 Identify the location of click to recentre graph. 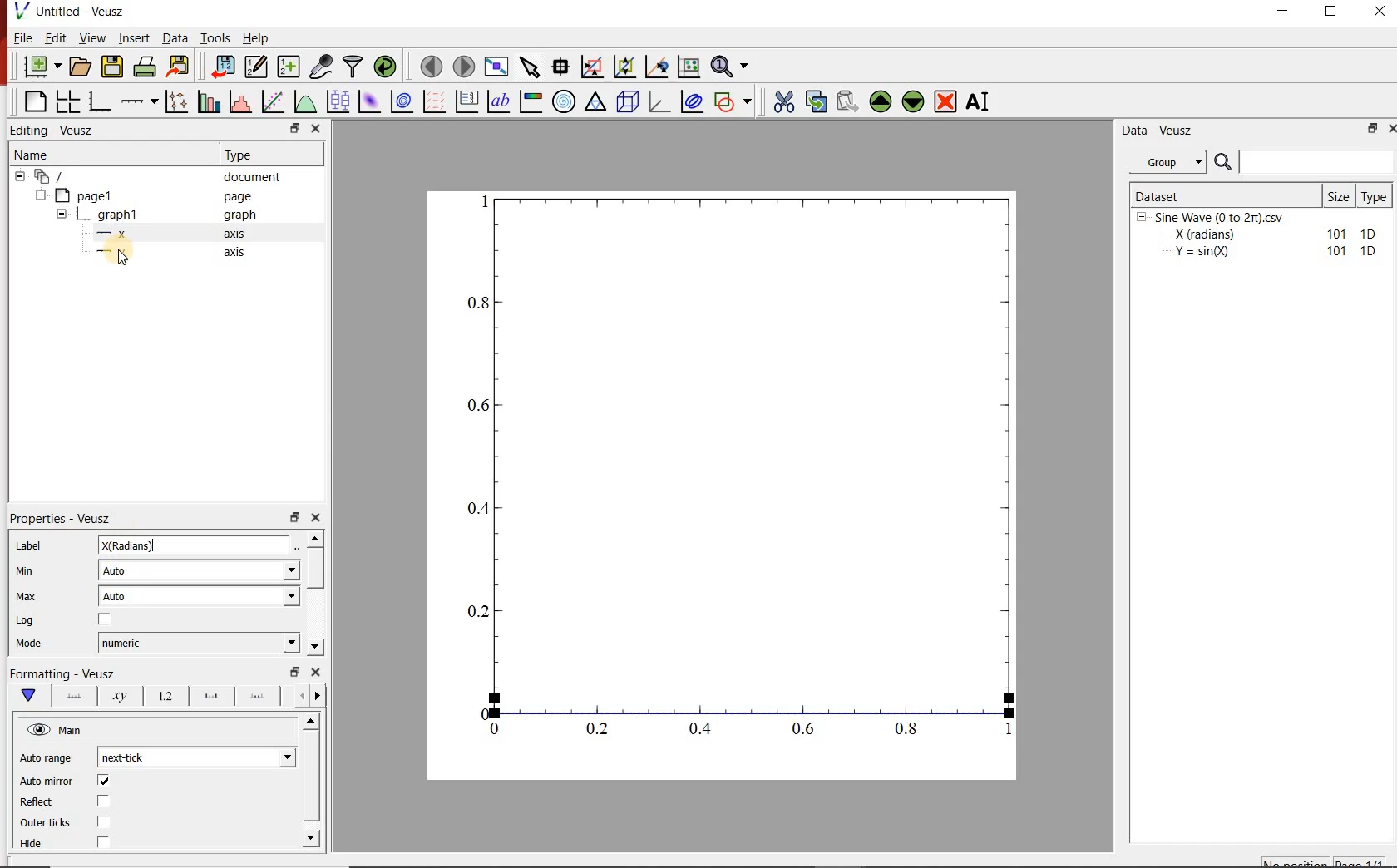
(657, 64).